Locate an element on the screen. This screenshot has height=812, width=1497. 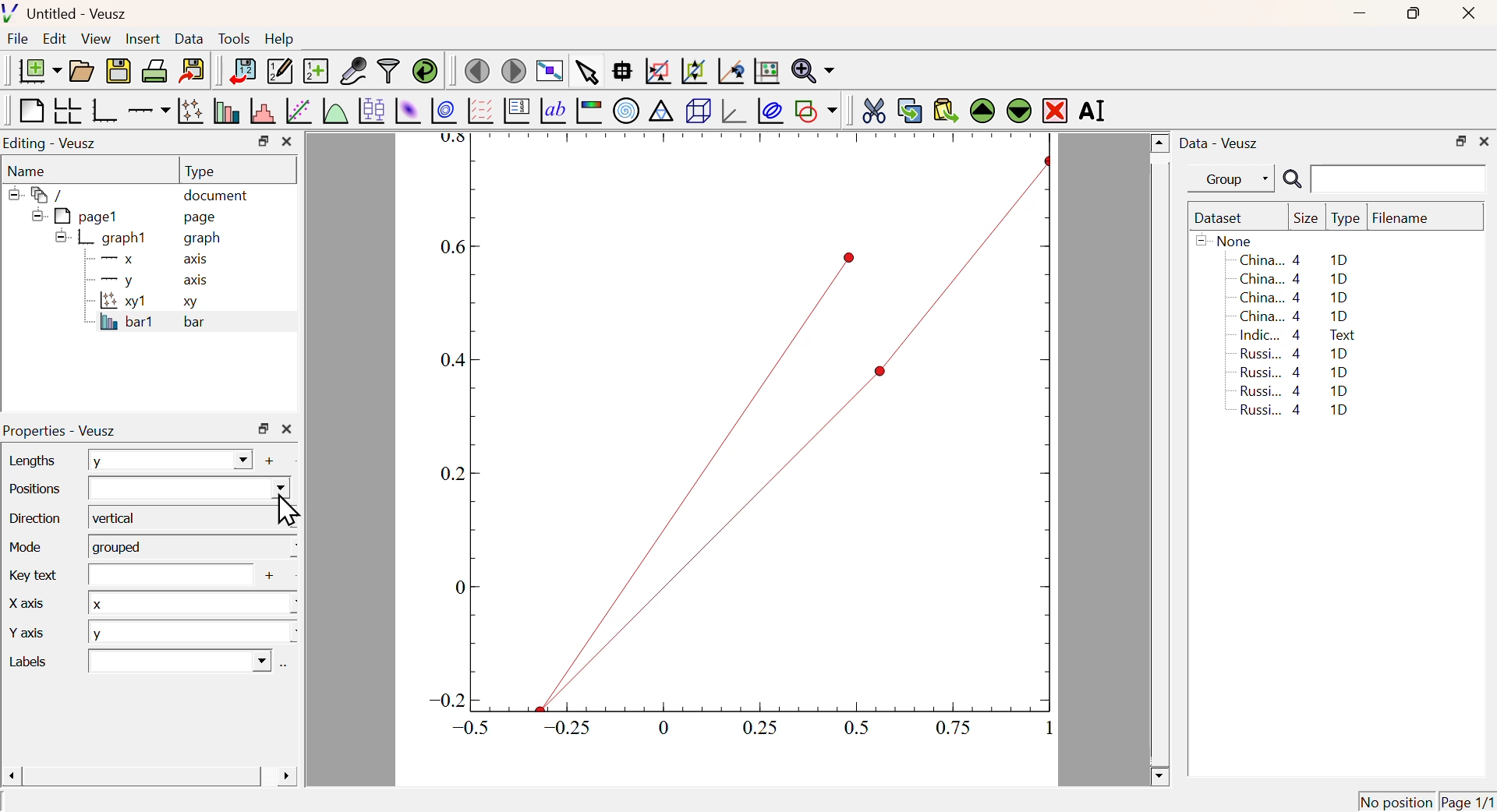
Move to next page is located at coordinates (515, 71).